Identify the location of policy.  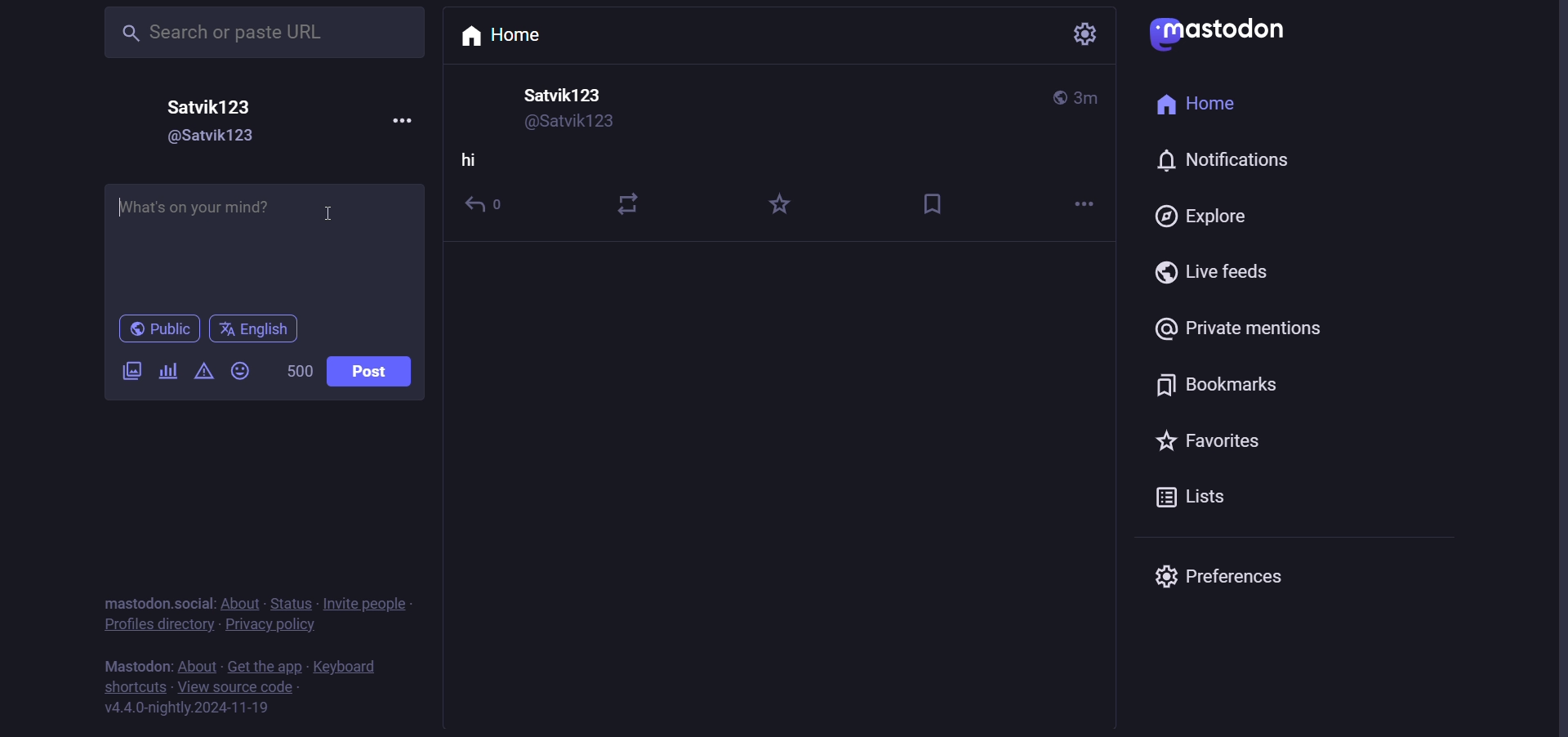
(273, 628).